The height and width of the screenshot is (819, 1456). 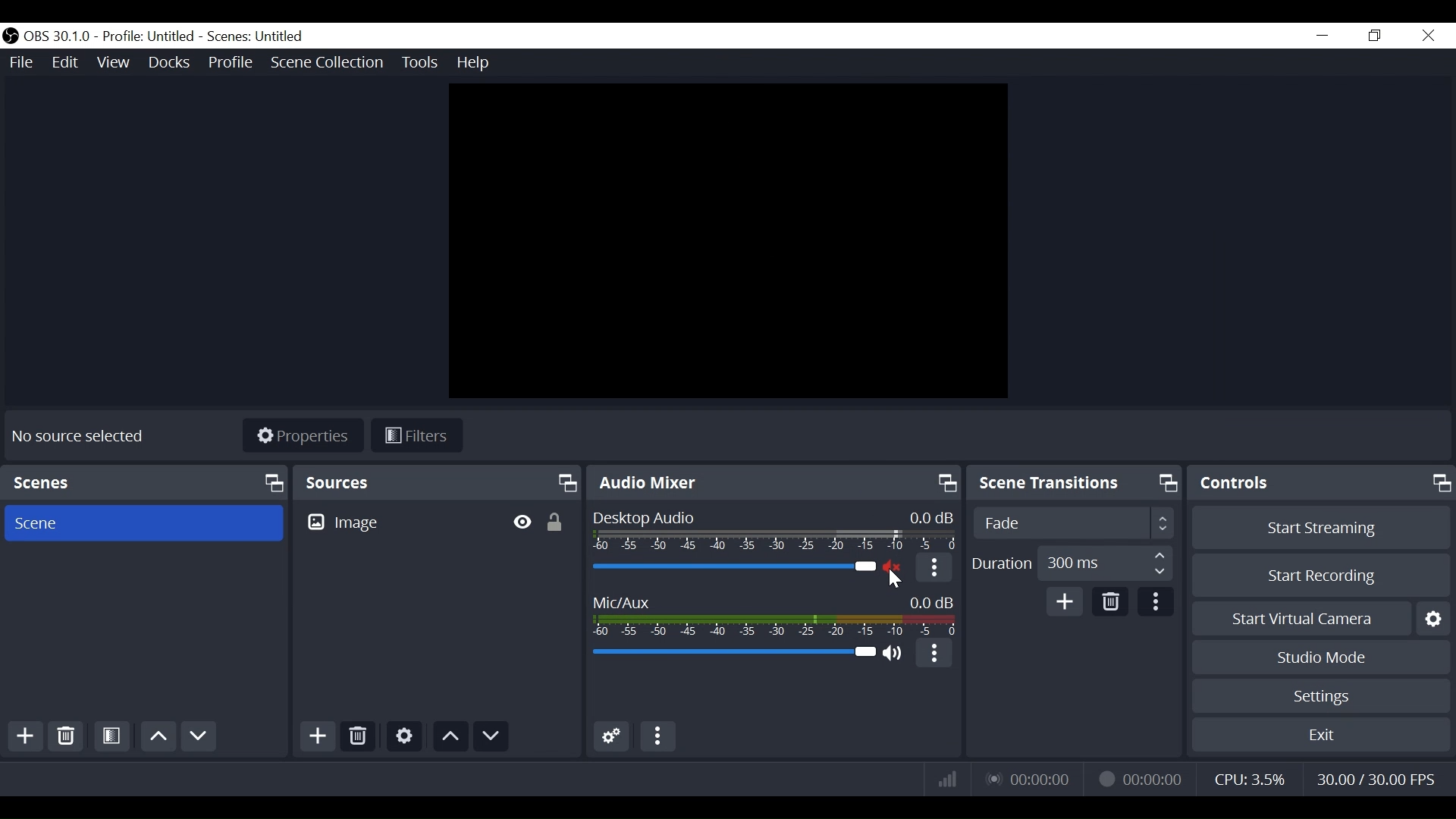 What do you see at coordinates (144, 484) in the screenshot?
I see `Scenes` at bounding box center [144, 484].